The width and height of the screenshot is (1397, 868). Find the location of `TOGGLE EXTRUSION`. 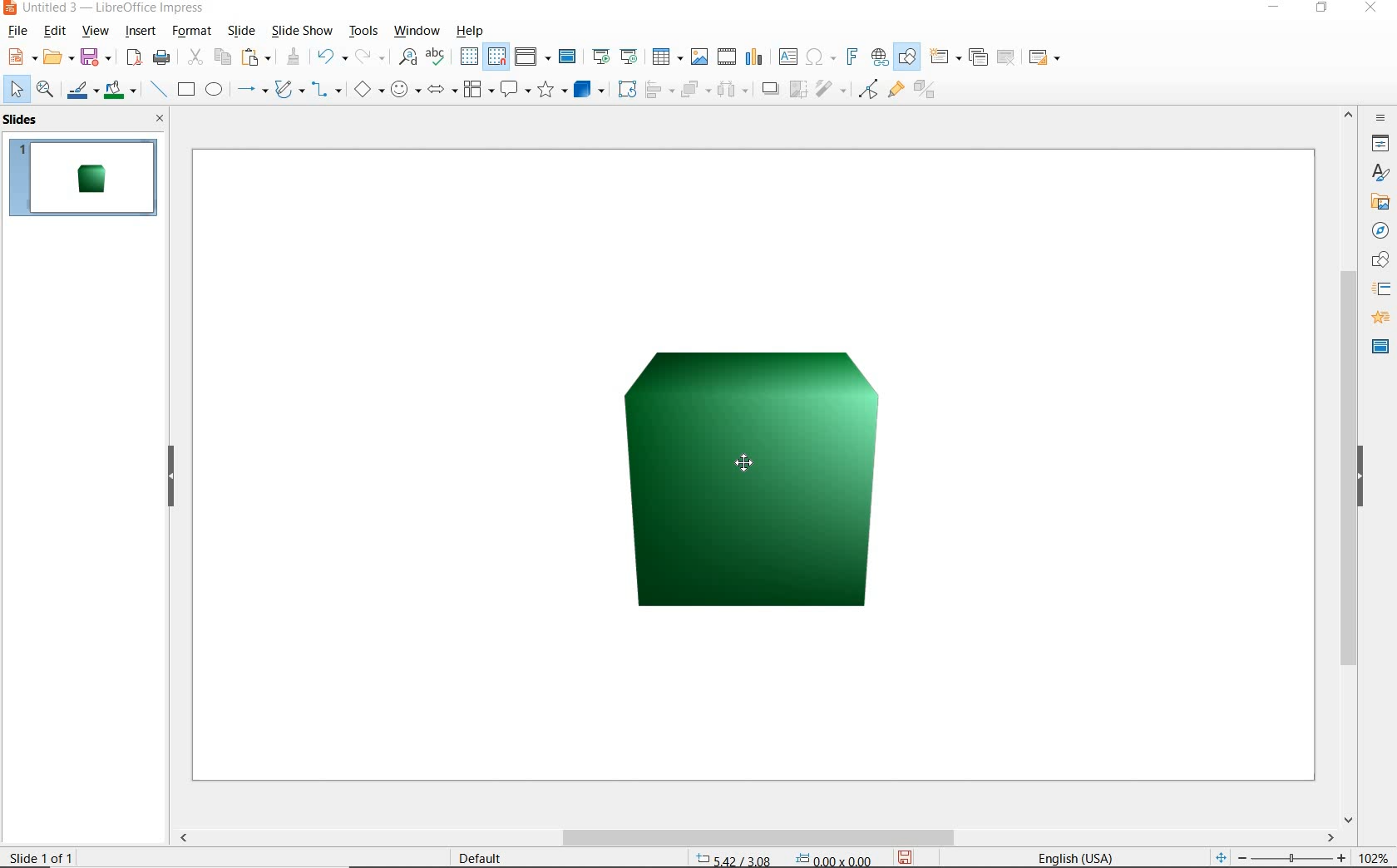

TOGGLE EXTRUSION is located at coordinates (926, 91).